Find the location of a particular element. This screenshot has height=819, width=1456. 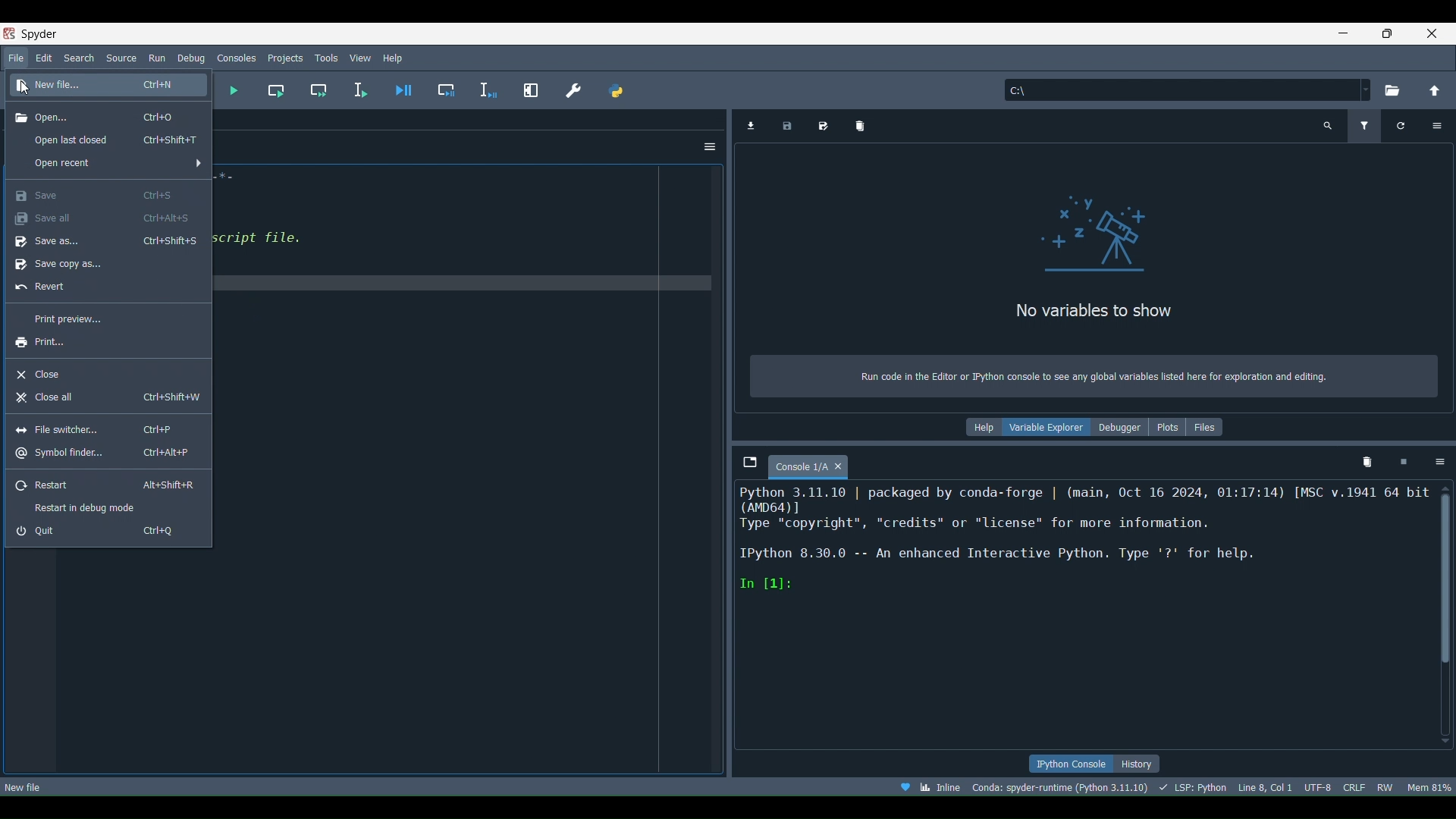

File switcher is located at coordinates (102, 425).